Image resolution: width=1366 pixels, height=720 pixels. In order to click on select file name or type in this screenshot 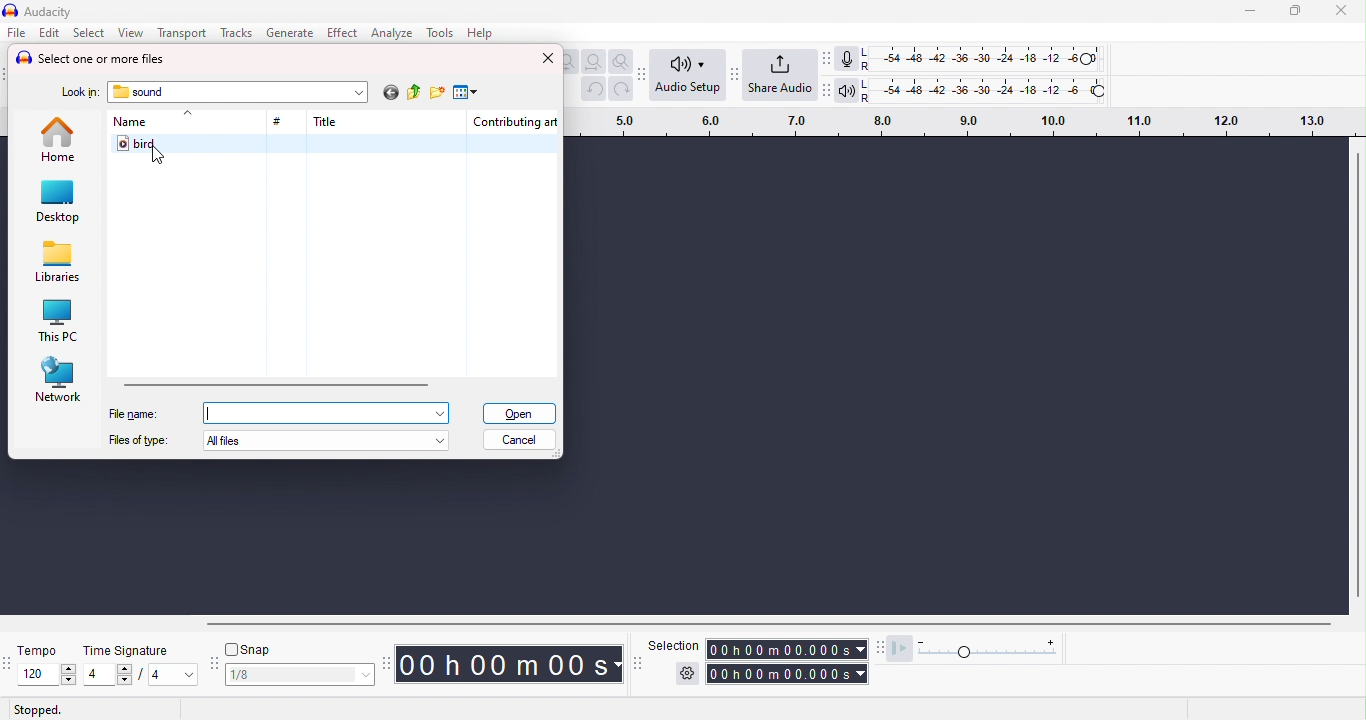, I will do `click(329, 412)`.